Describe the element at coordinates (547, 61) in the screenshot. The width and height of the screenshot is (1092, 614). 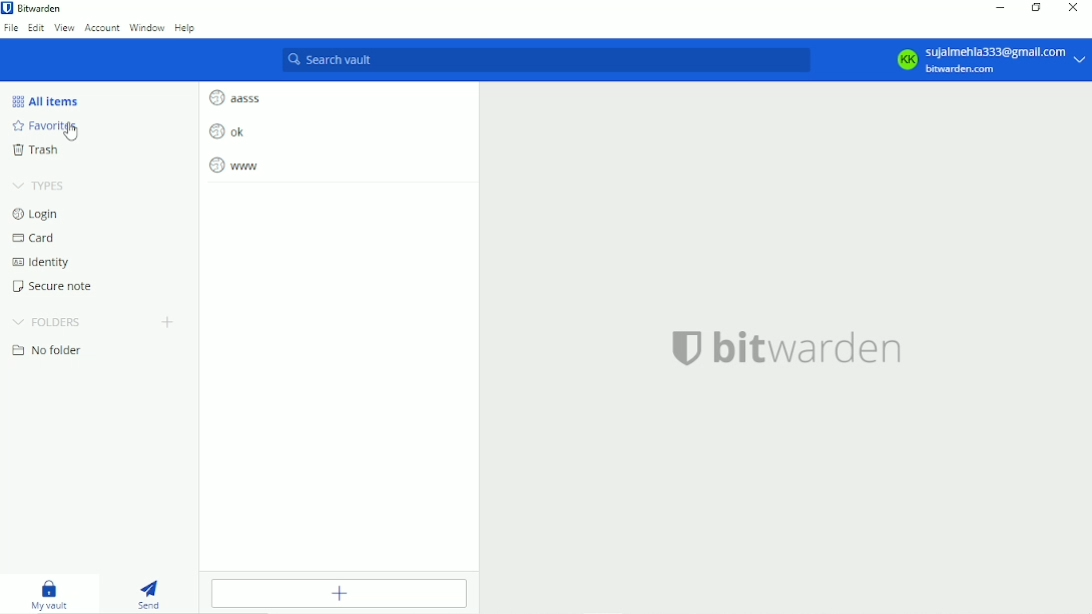
I see `Search vault` at that location.